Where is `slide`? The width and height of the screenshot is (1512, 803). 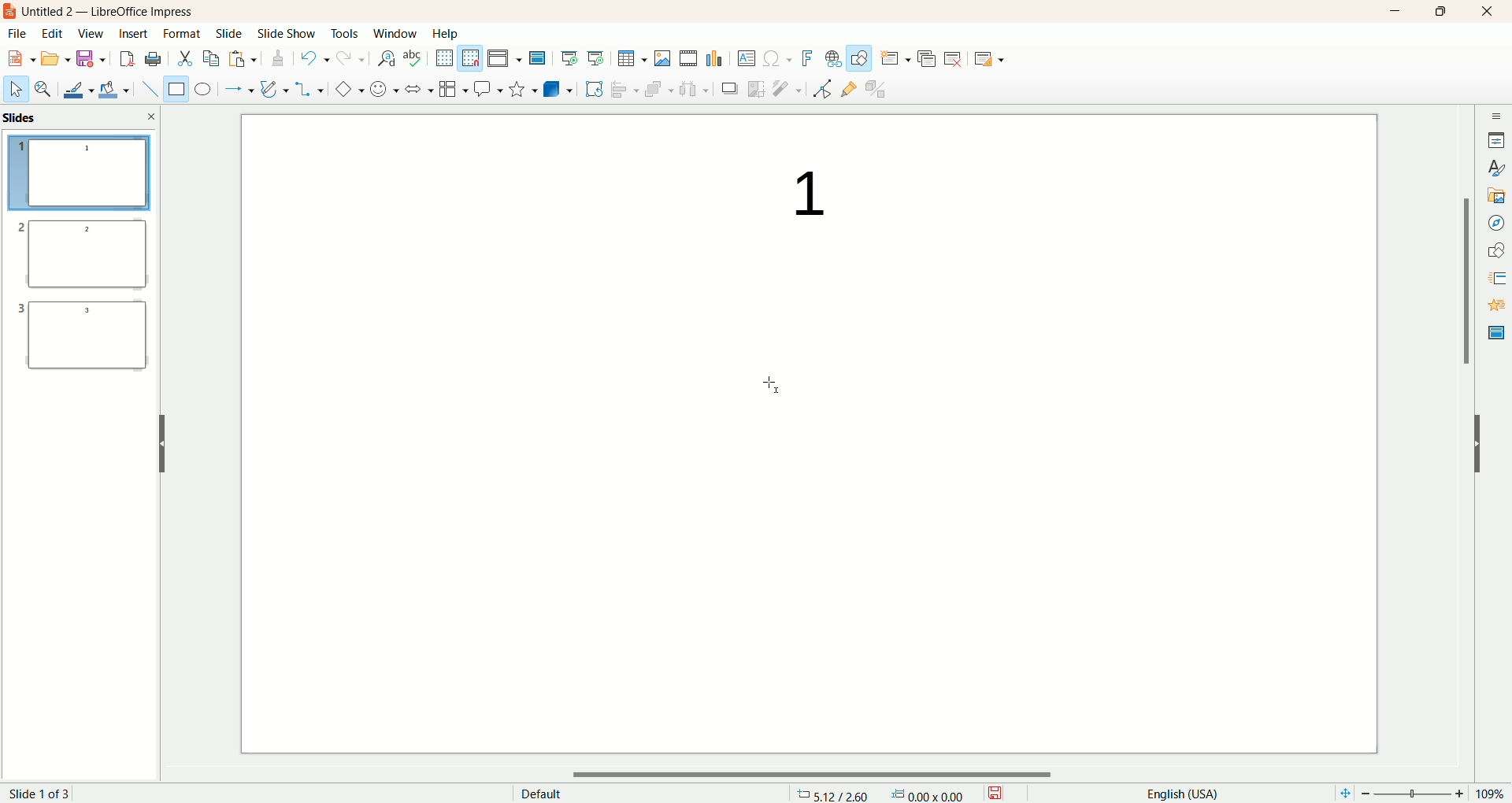
slide is located at coordinates (229, 35).